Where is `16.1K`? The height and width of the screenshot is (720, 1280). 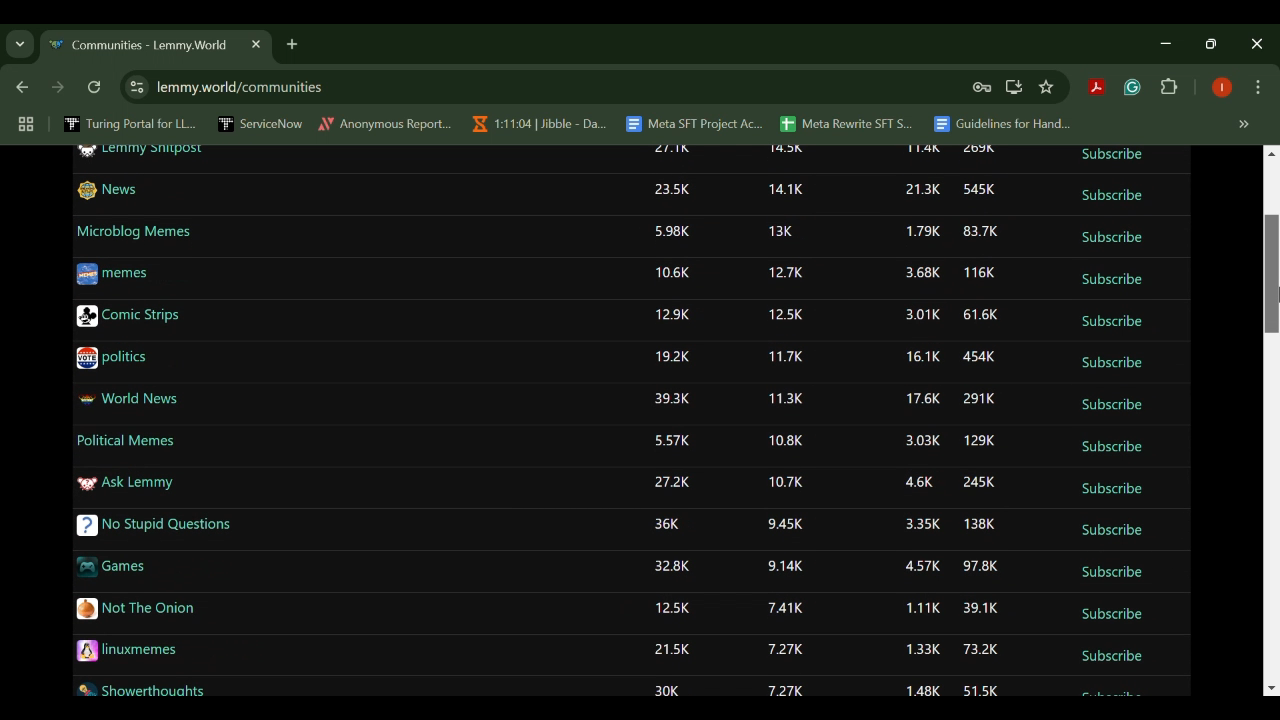 16.1K is located at coordinates (924, 359).